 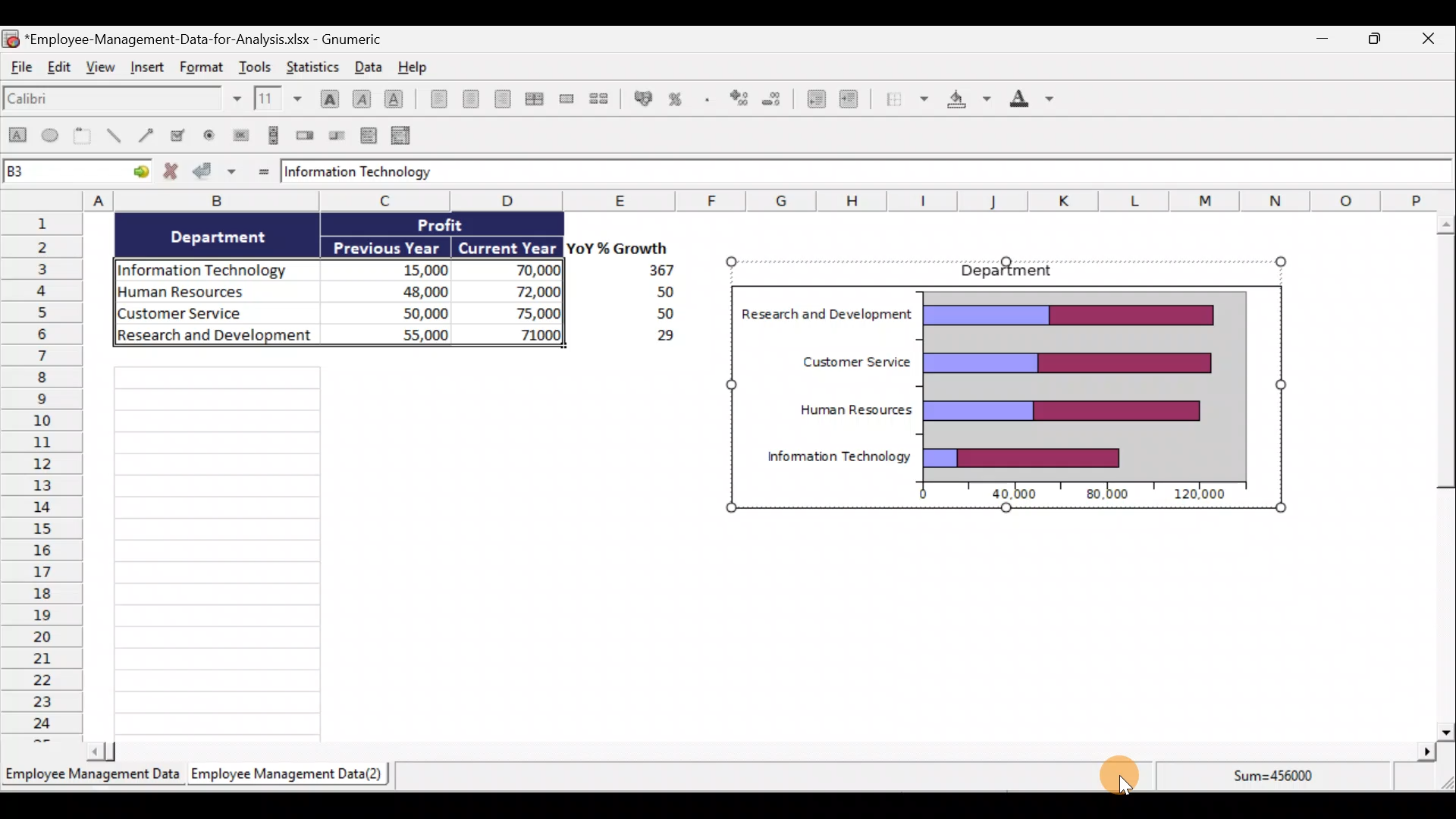 What do you see at coordinates (21, 71) in the screenshot?
I see `File` at bounding box center [21, 71].